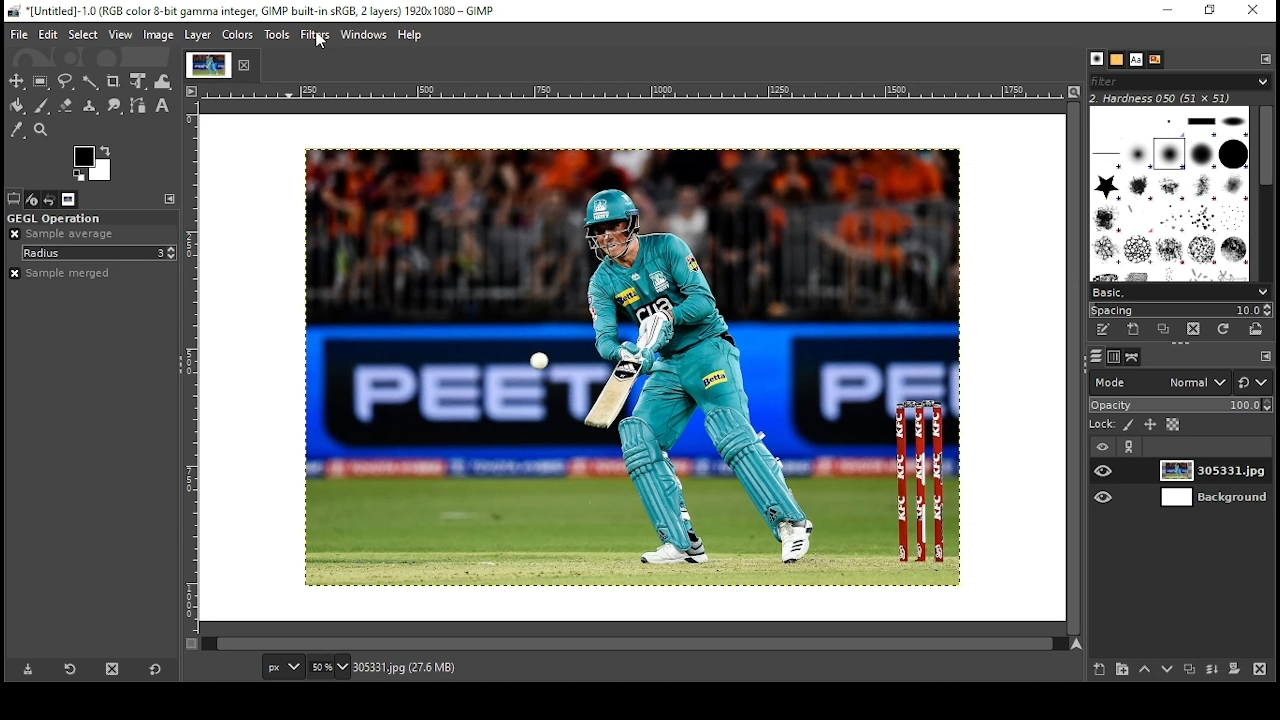 The image size is (1280, 720). I want to click on reset to default values, so click(157, 668).